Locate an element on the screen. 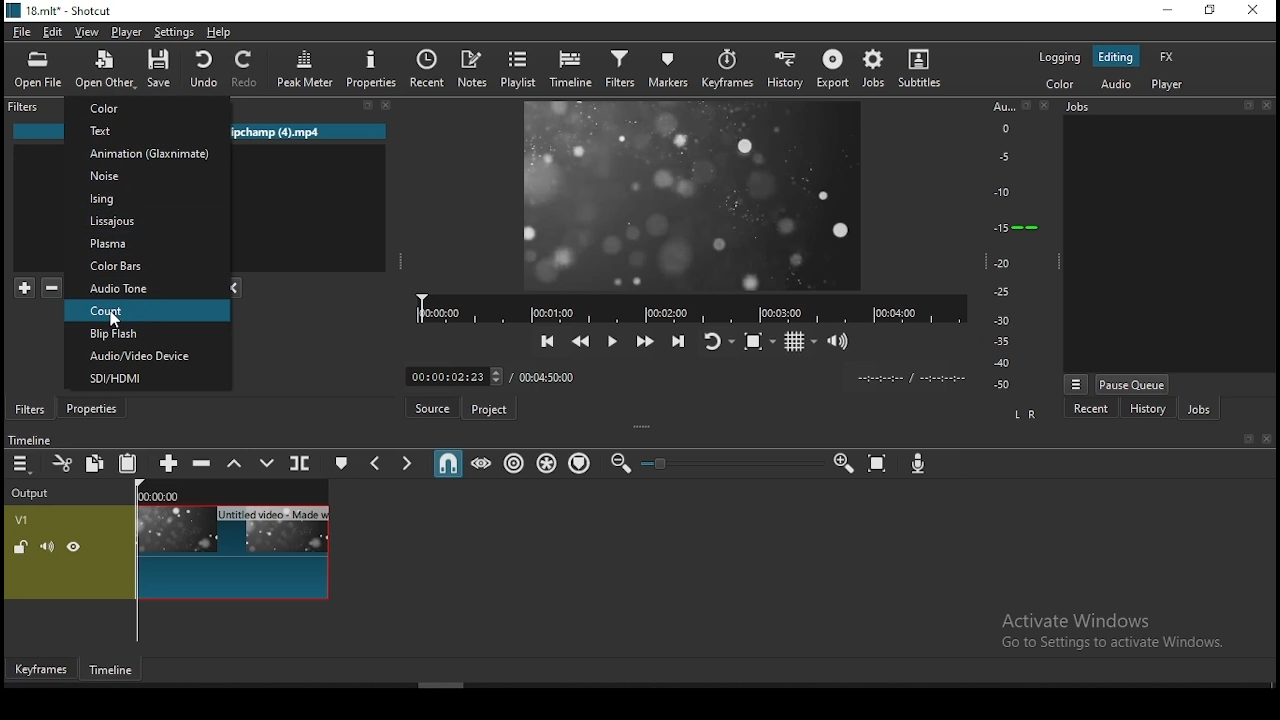 The width and height of the screenshot is (1280, 720). append is located at coordinates (167, 463).